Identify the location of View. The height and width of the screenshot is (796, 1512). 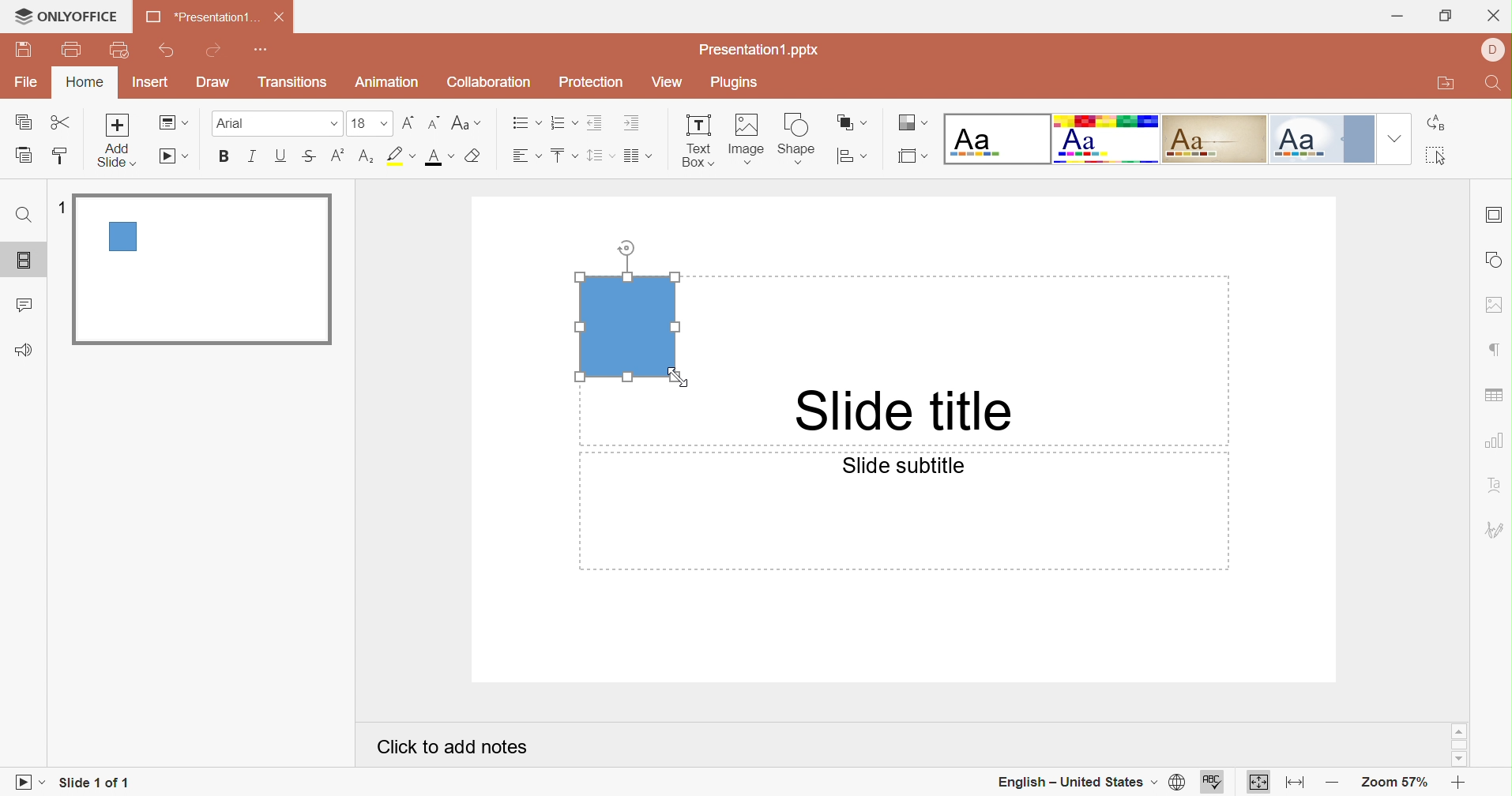
(668, 83).